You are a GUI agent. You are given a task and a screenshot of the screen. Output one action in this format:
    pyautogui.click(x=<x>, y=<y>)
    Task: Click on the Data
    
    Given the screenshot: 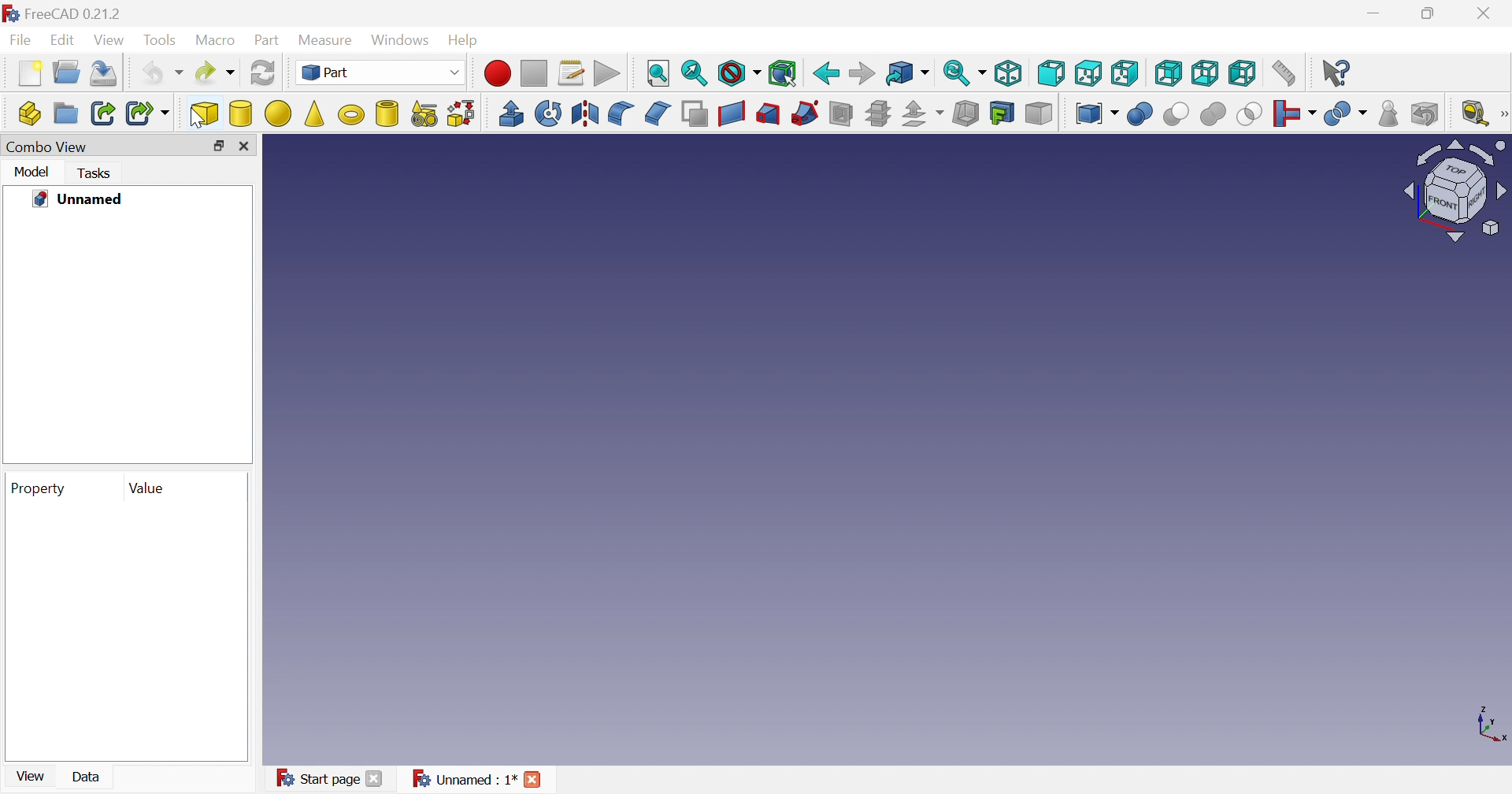 What is the action you would take?
    pyautogui.click(x=87, y=777)
    